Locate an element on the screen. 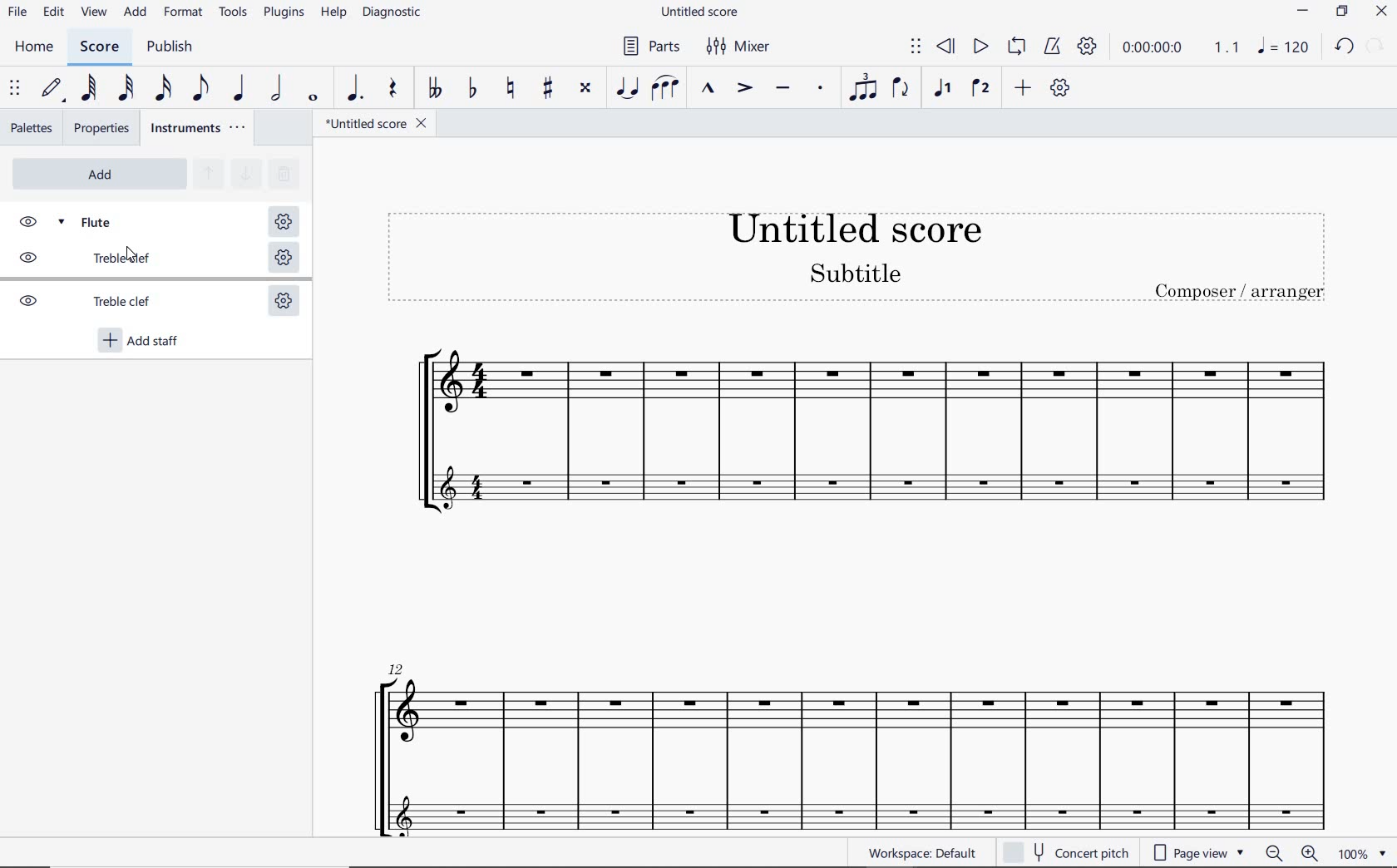 Image resolution: width=1397 pixels, height=868 pixels. 64TH NOTE is located at coordinates (90, 88).